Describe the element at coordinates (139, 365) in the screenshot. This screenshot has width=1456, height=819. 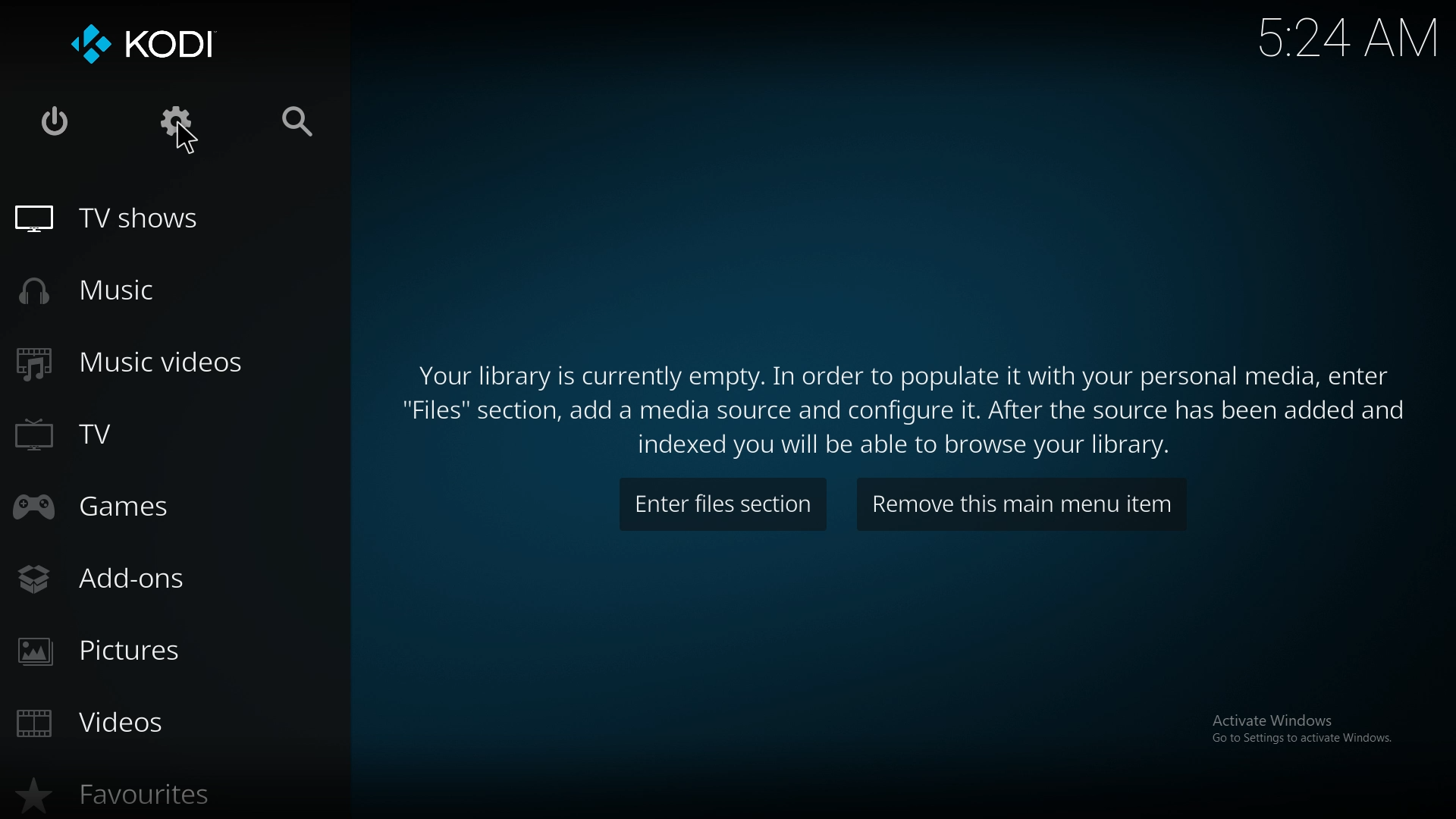
I see `music videos` at that location.